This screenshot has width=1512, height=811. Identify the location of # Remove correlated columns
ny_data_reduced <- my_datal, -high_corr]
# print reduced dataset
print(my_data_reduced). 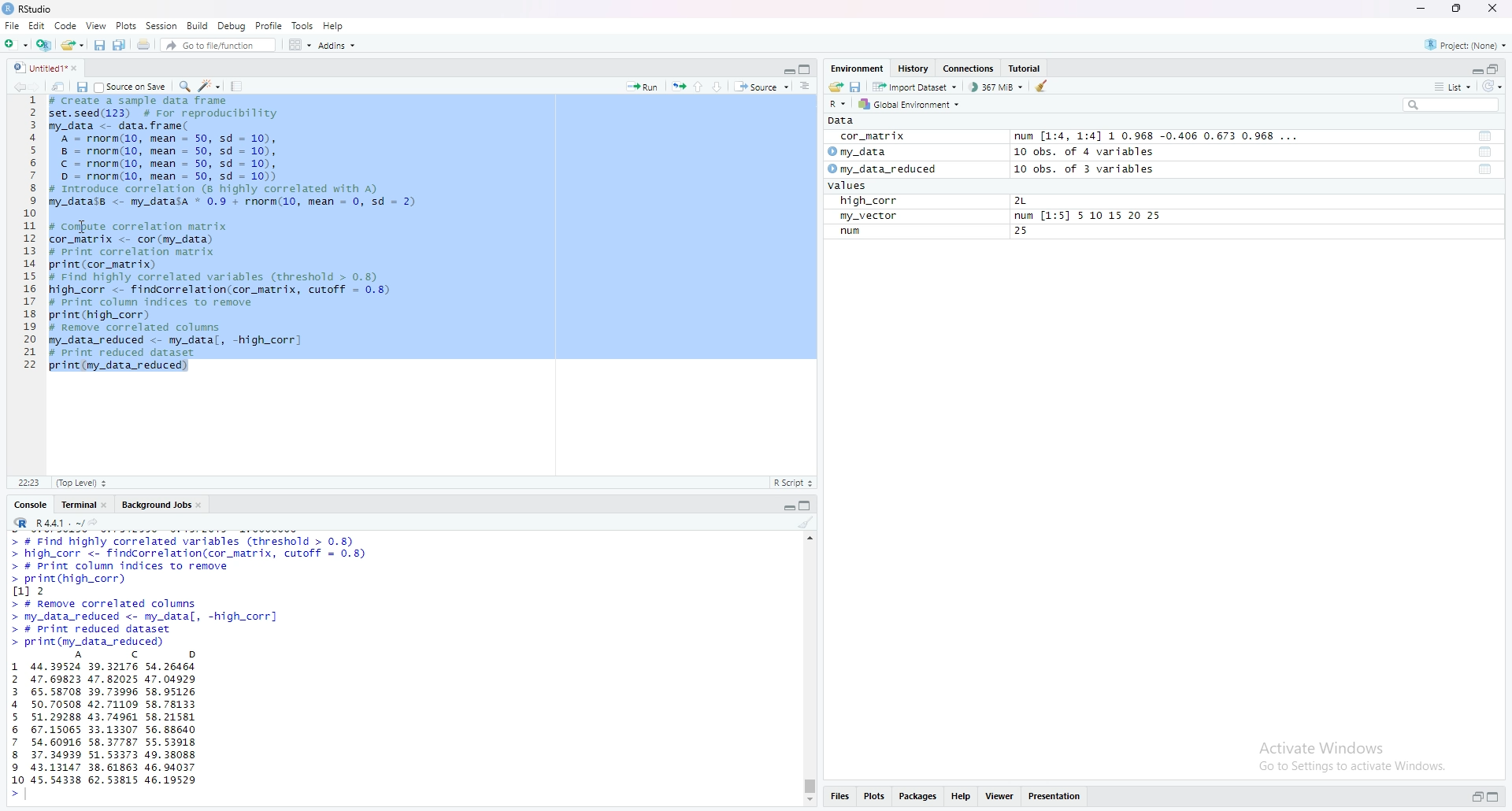
(153, 623).